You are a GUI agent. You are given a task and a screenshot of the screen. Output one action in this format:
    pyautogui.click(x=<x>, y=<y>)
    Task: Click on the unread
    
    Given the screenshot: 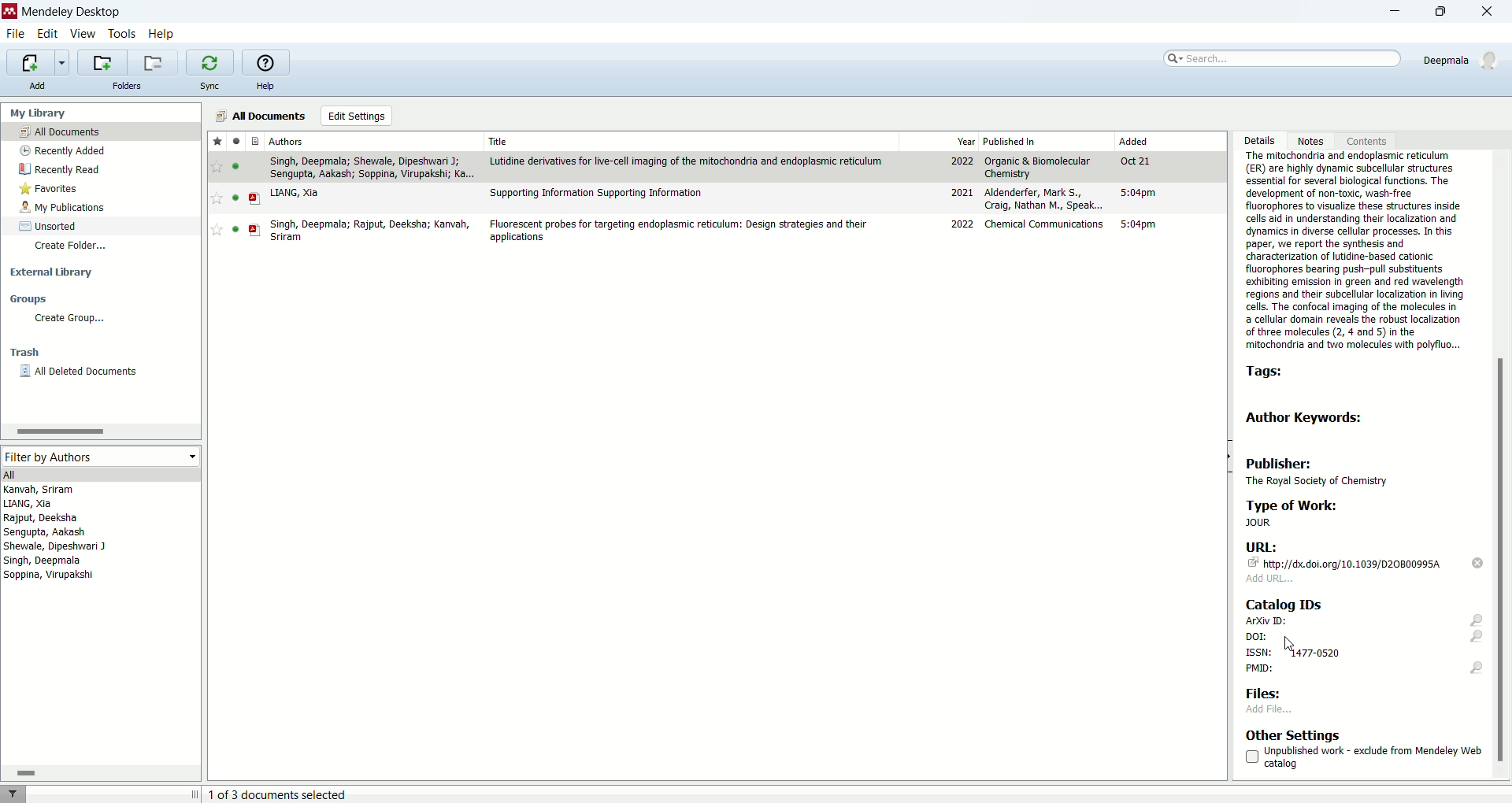 What is the action you would take?
    pyautogui.click(x=235, y=229)
    